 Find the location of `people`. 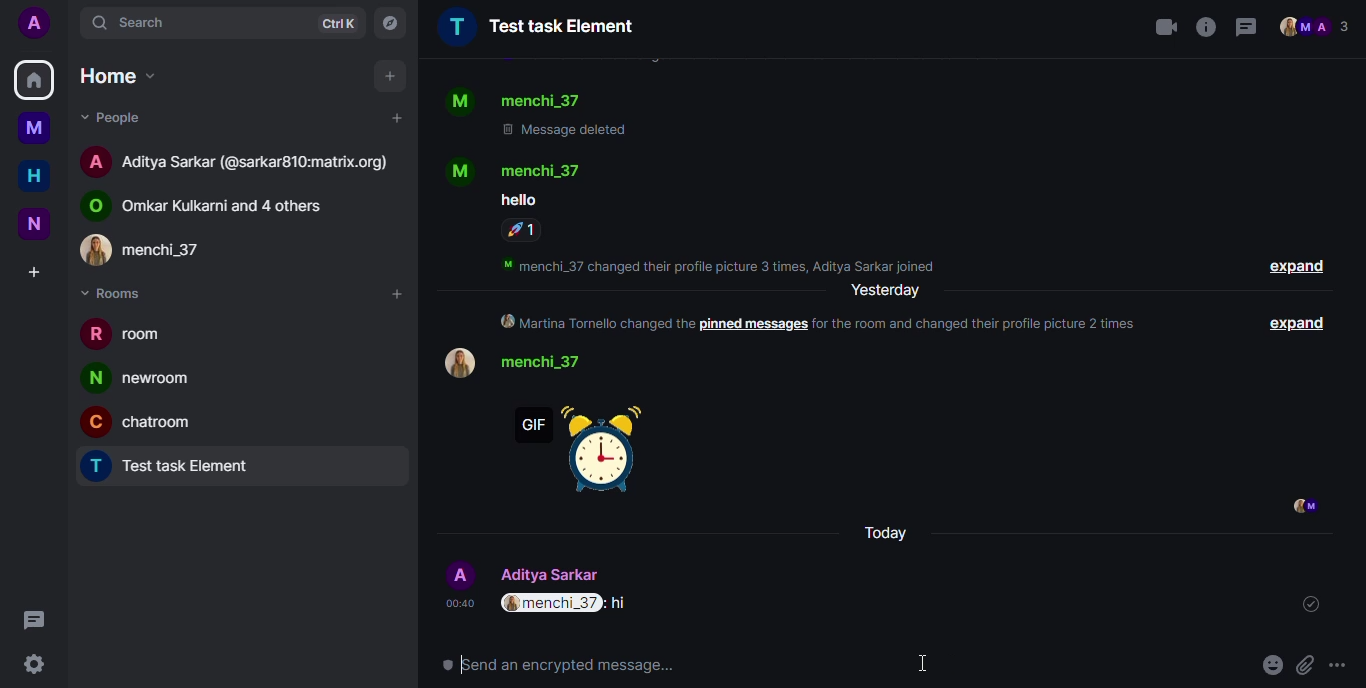

people is located at coordinates (1317, 27).